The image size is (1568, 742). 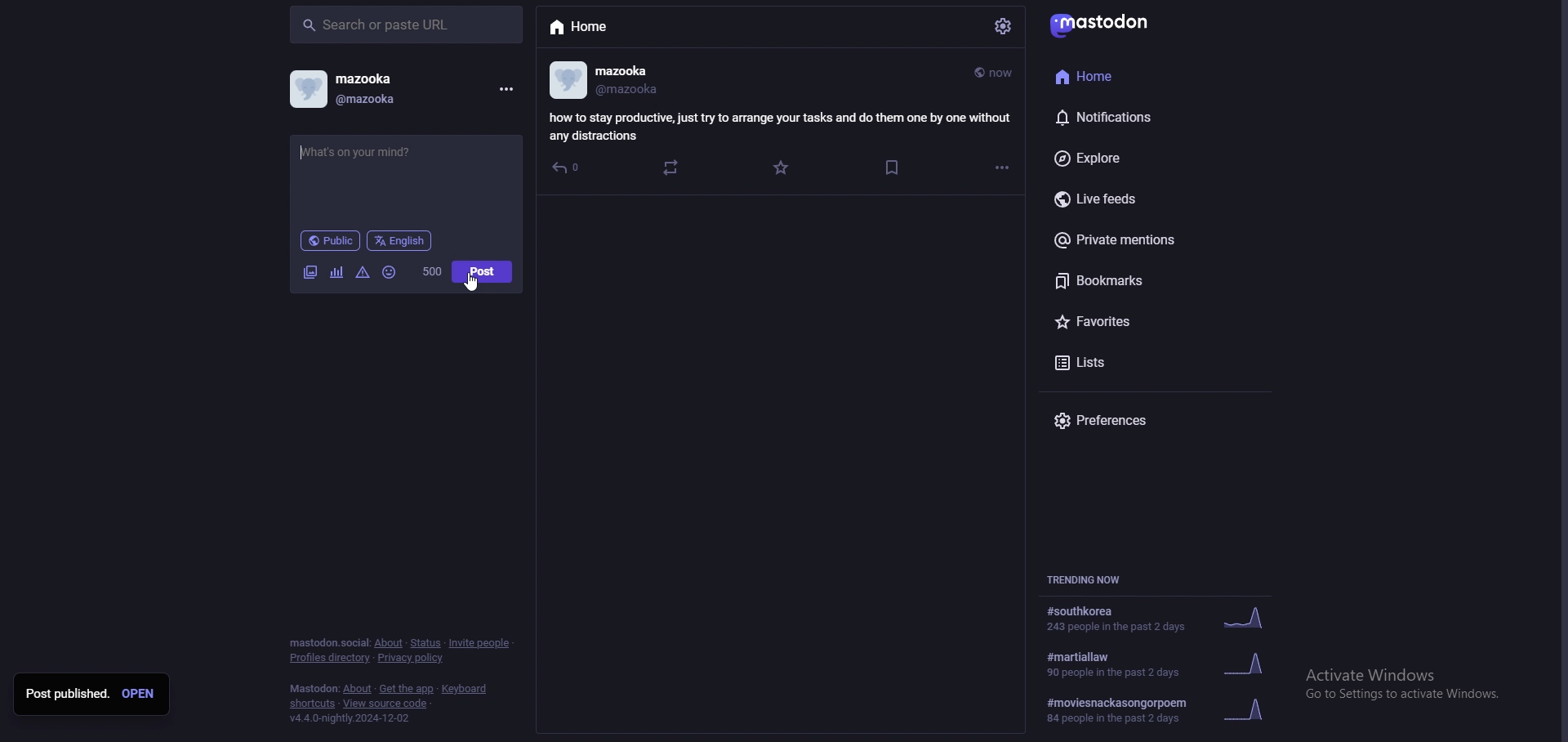 What do you see at coordinates (311, 272) in the screenshot?
I see `image` at bounding box center [311, 272].